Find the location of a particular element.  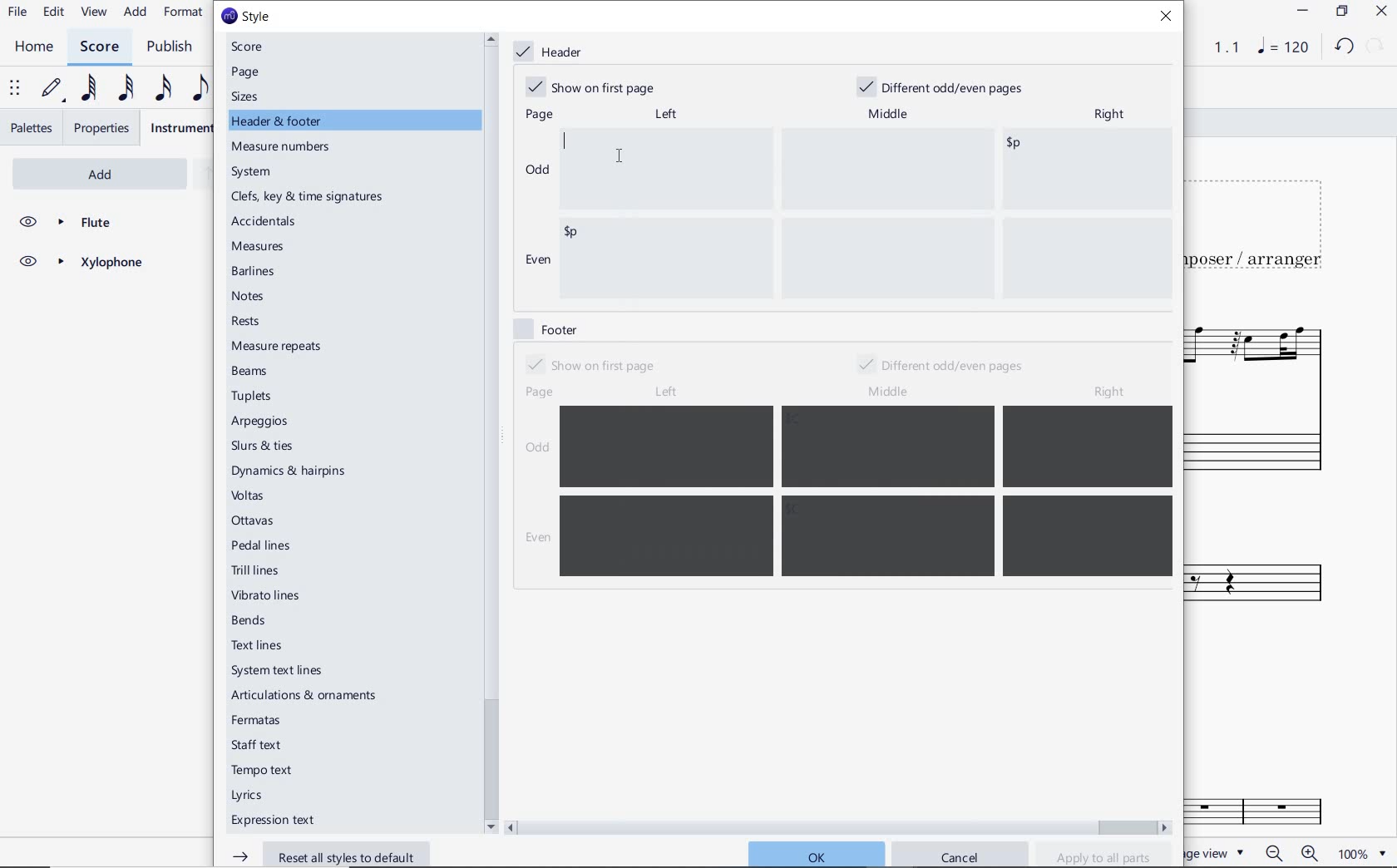

header marked is located at coordinates (552, 52).